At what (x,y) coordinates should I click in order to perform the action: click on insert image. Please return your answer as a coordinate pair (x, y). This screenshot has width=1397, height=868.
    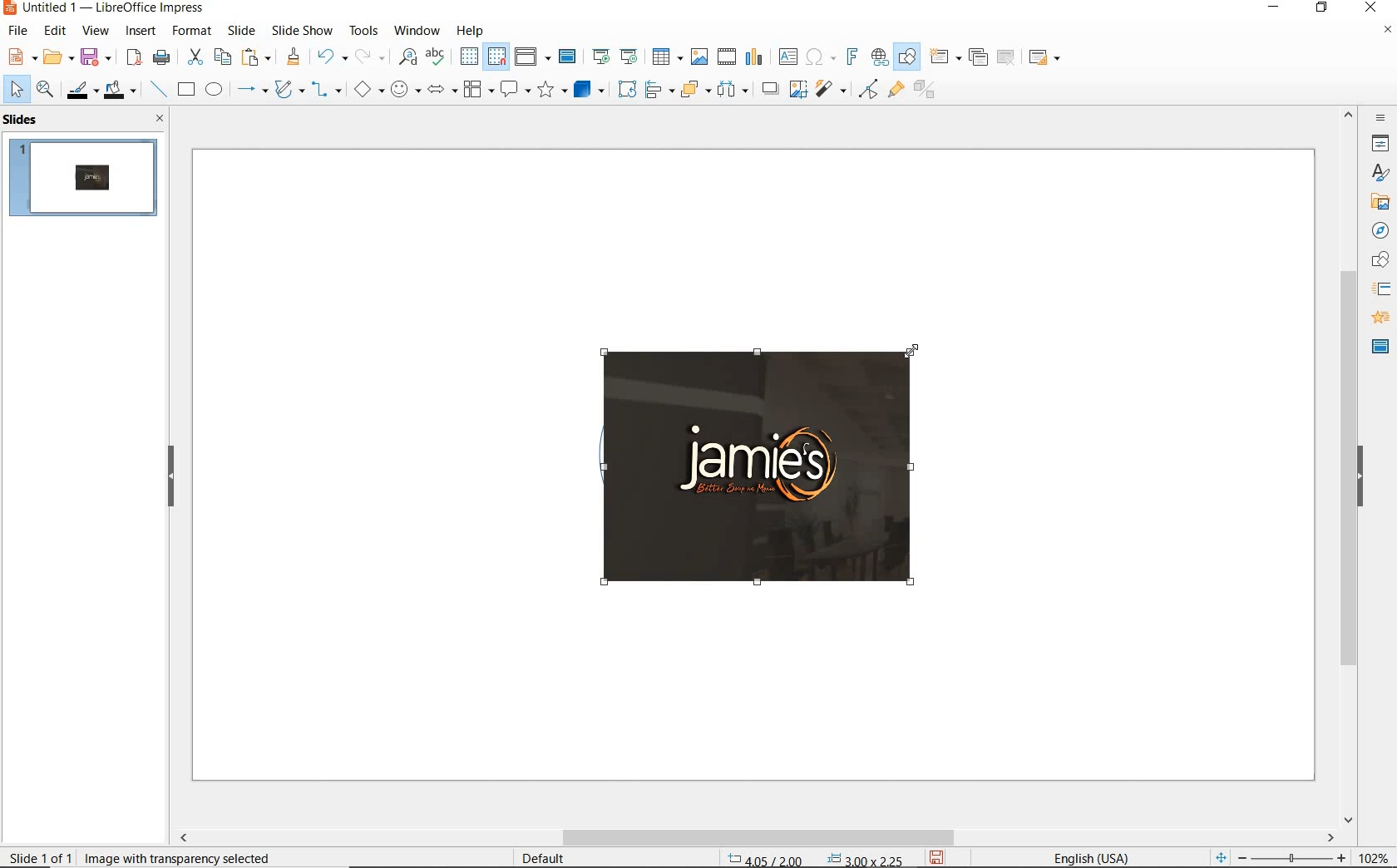
    Looking at the image, I should click on (698, 57).